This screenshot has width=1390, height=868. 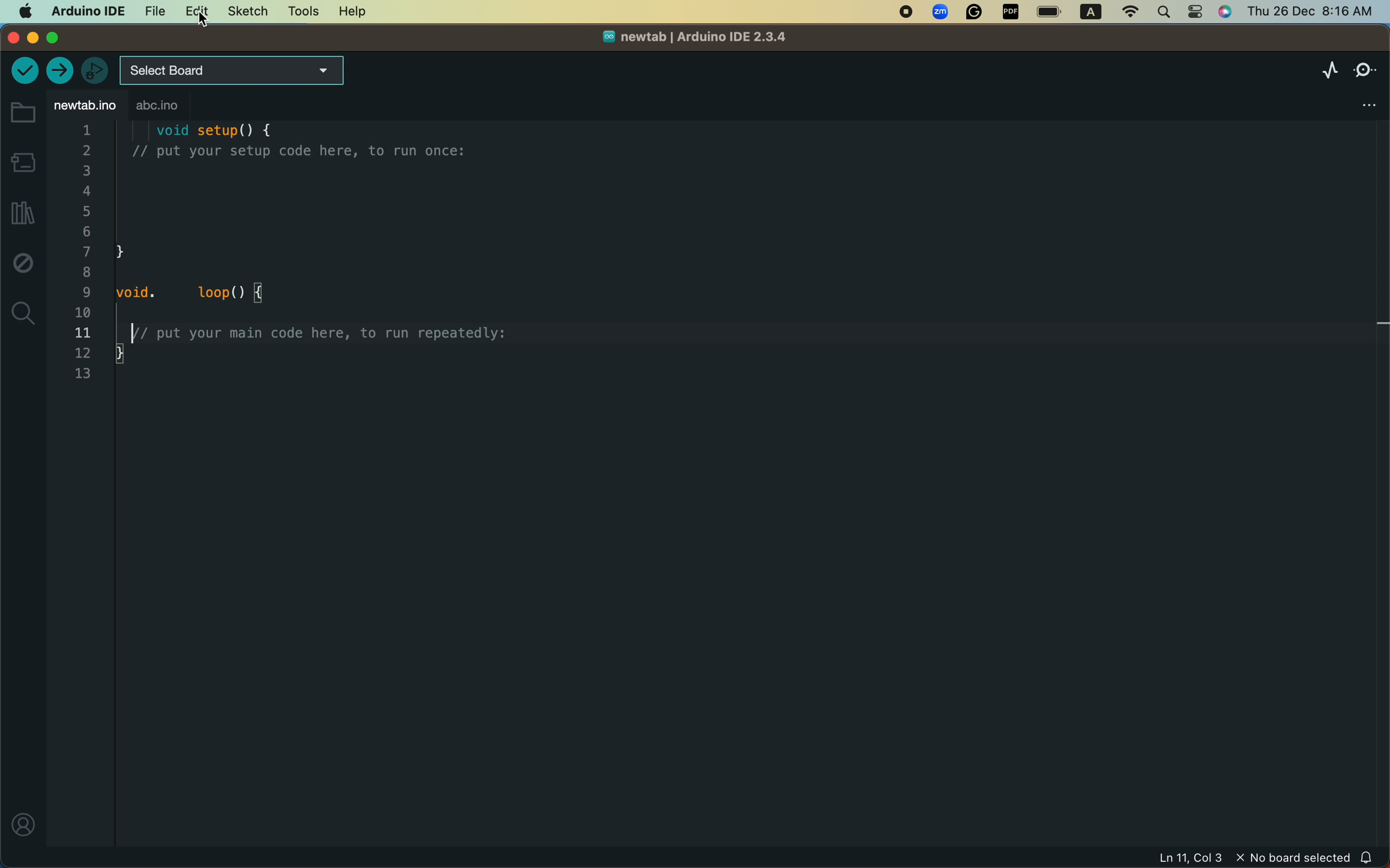 What do you see at coordinates (1196, 12) in the screenshot?
I see `setting` at bounding box center [1196, 12].